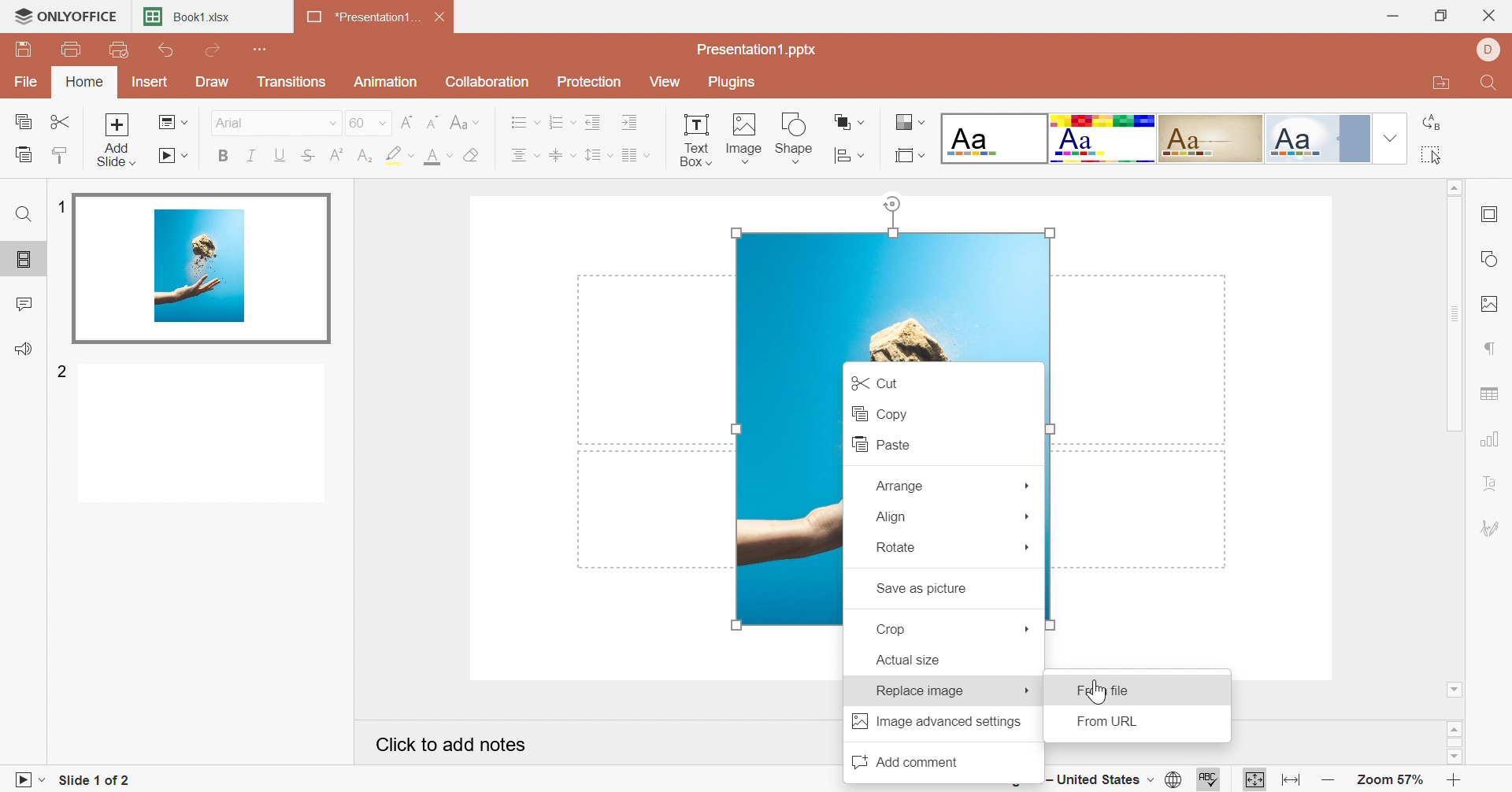 The image size is (1512, 792). Describe the element at coordinates (910, 154) in the screenshot. I see `Select slide layout` at that location.